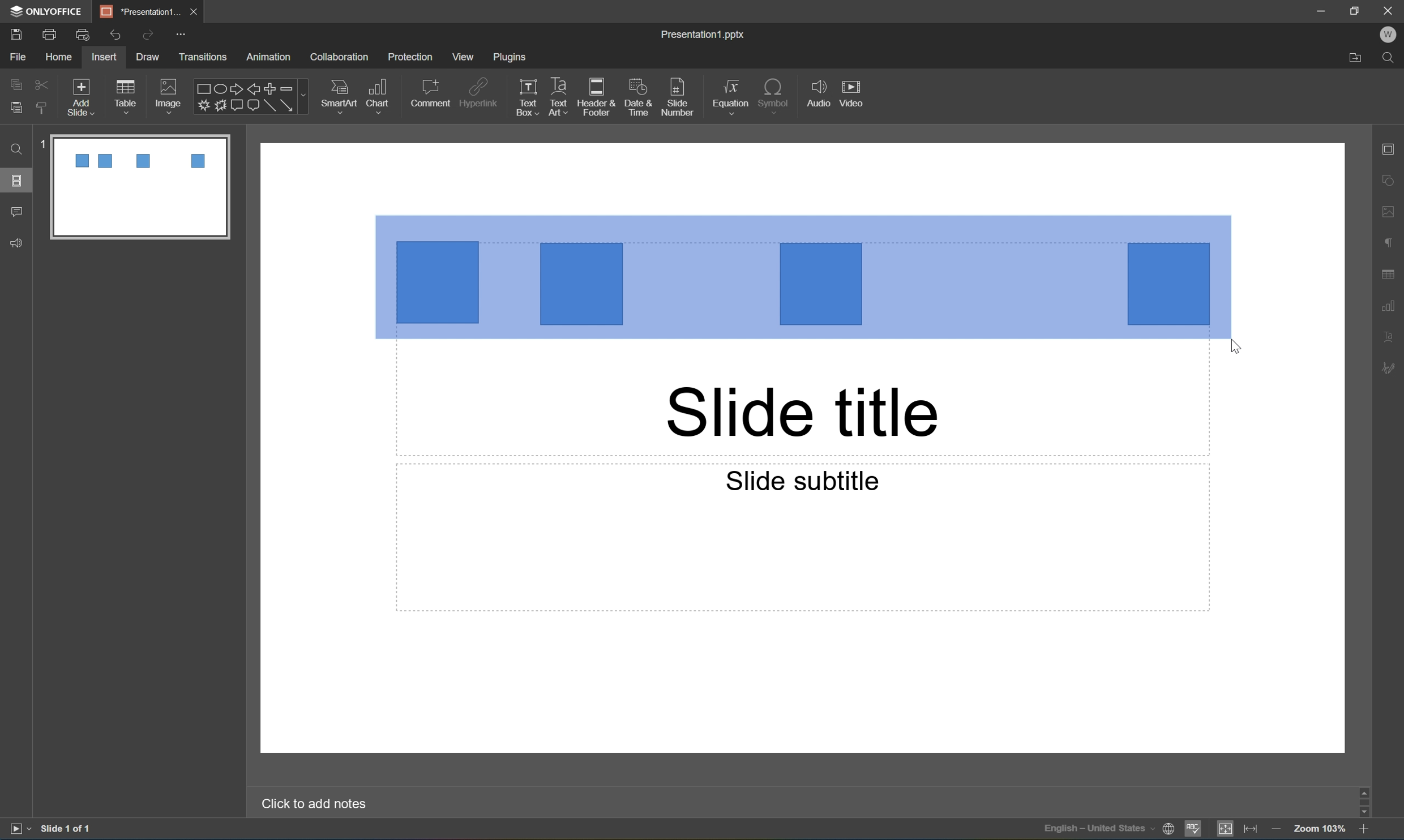  Describe the element at coordinates (524, 98) in the screenshot. I see `text box` at that location.